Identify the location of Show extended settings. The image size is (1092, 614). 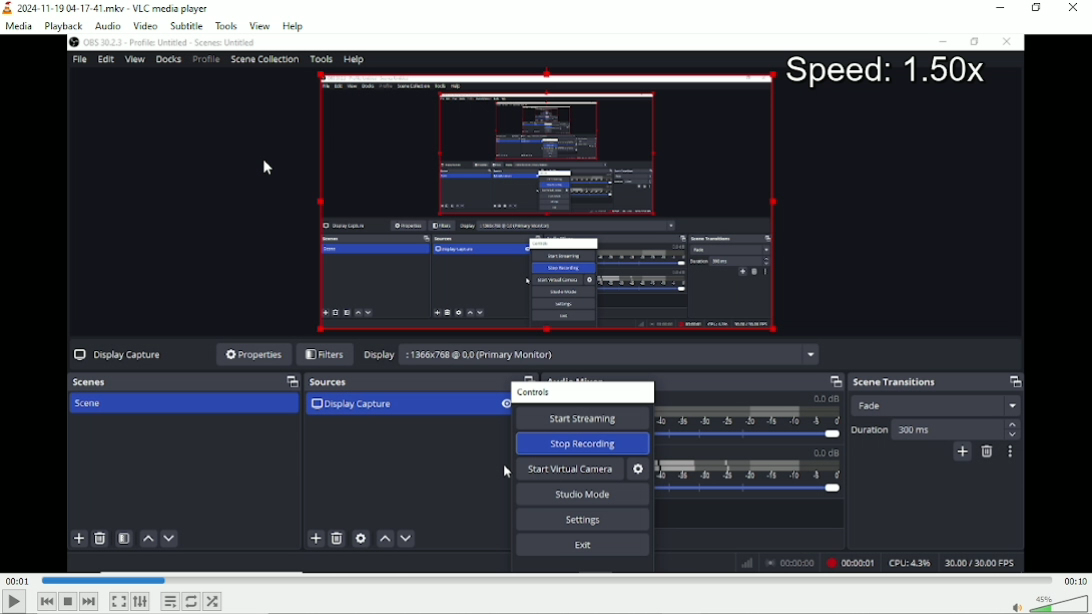
(140, 601).